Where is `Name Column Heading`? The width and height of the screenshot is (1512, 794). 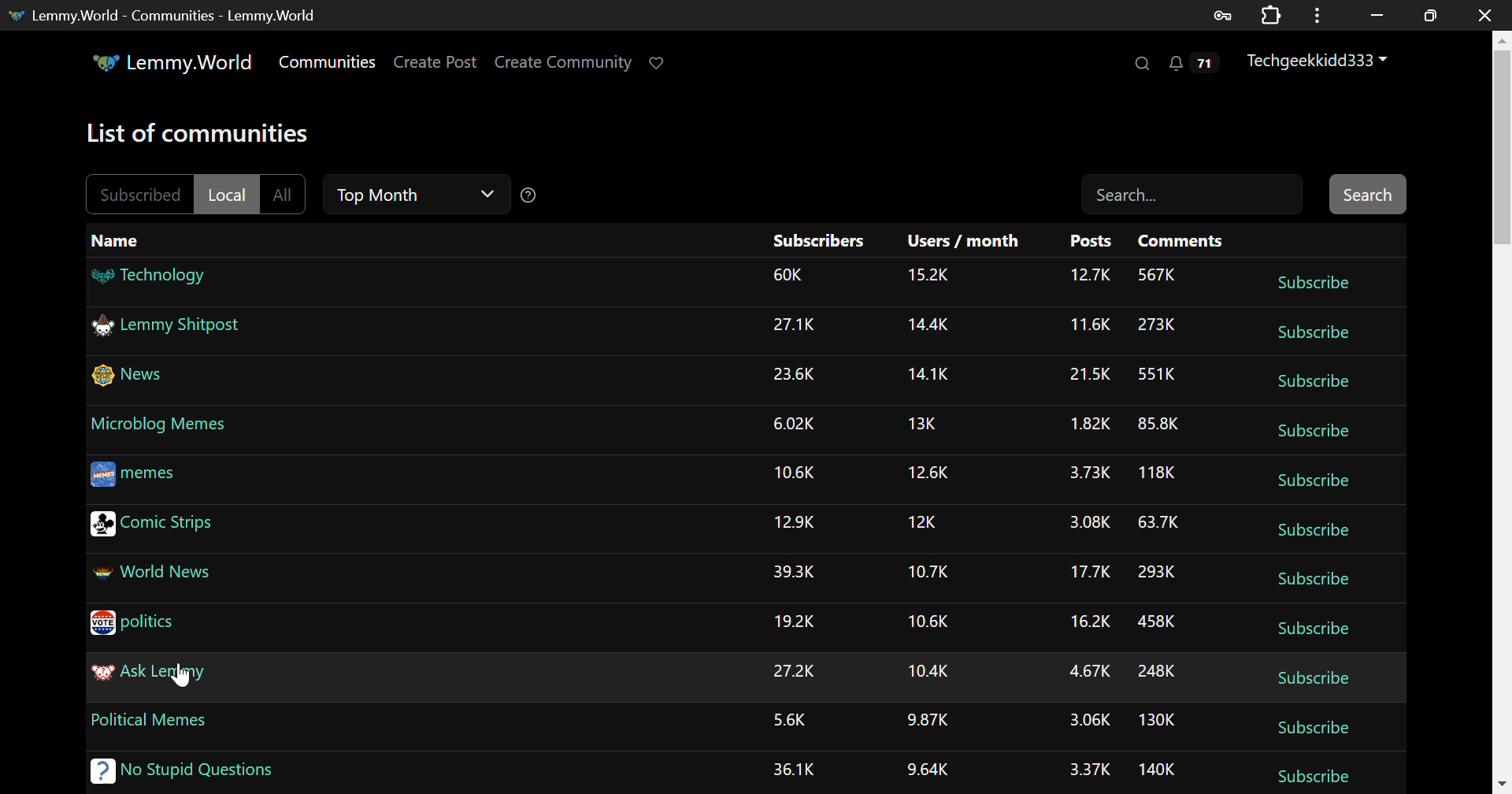
Name Column Heading is located at coordinates (117, 240).